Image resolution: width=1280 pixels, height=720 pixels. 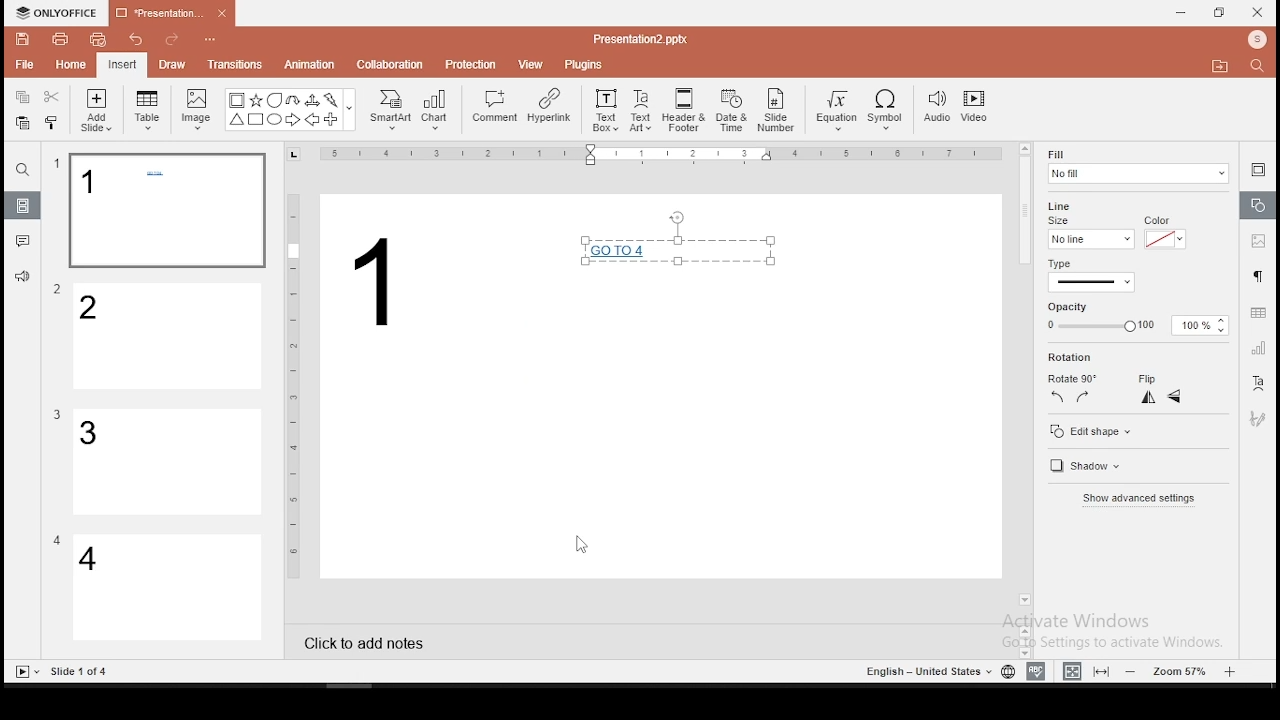 I want to click on text box, so click(x=604, y=108).